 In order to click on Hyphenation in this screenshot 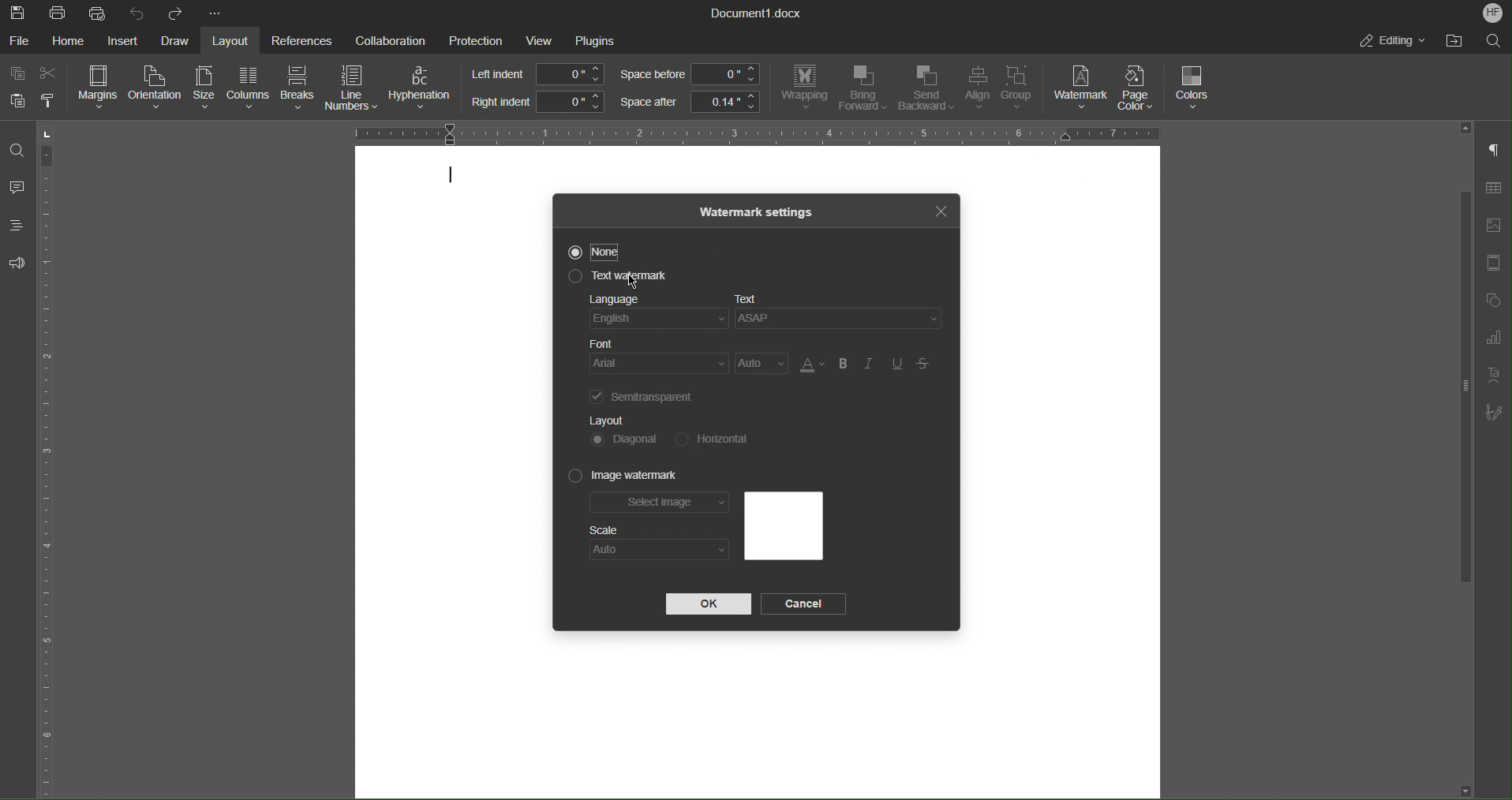, I will do `click(423, 88)`.